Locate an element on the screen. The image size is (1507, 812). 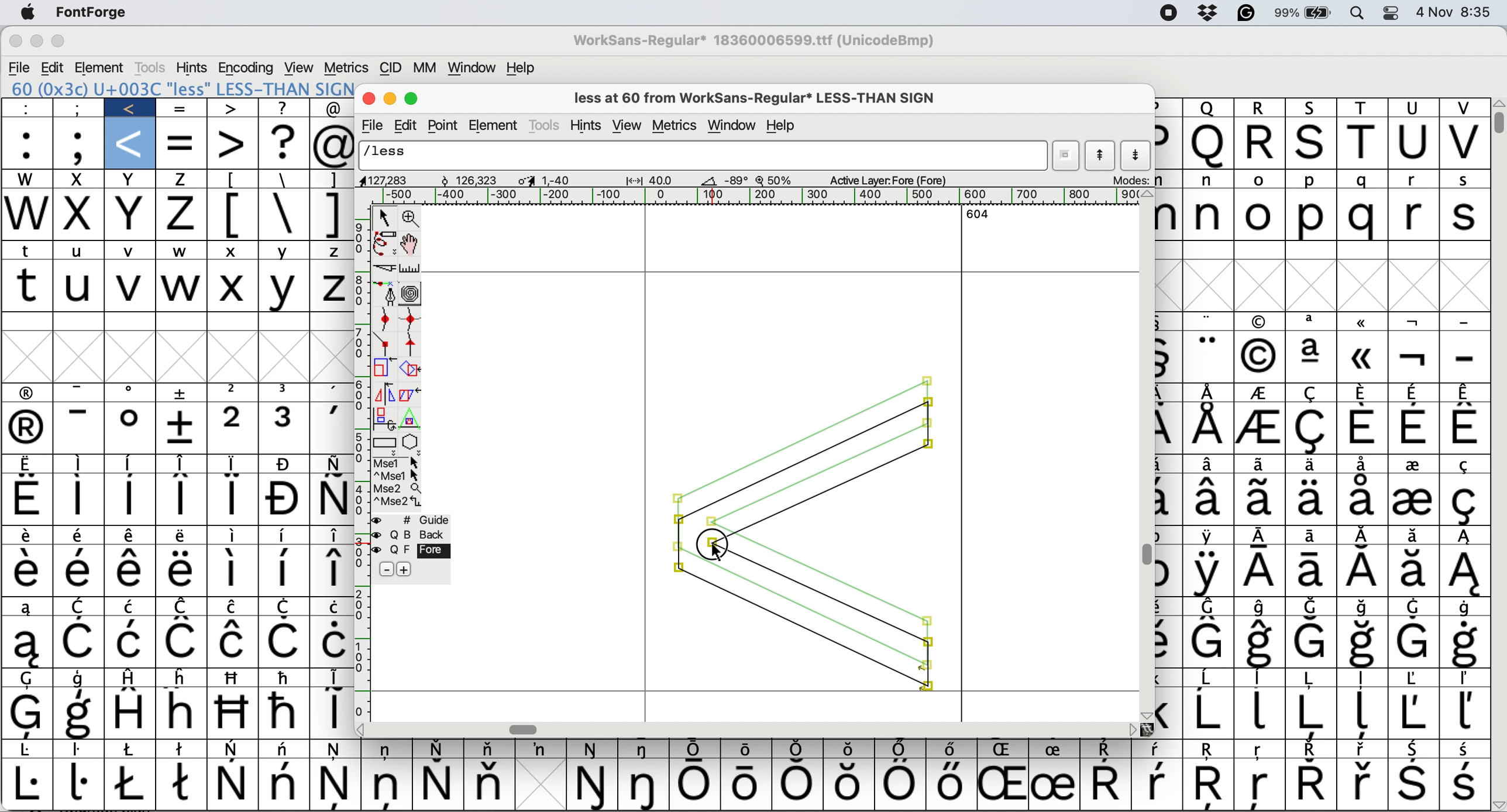
Symbol is located at coordinates (332, 498).